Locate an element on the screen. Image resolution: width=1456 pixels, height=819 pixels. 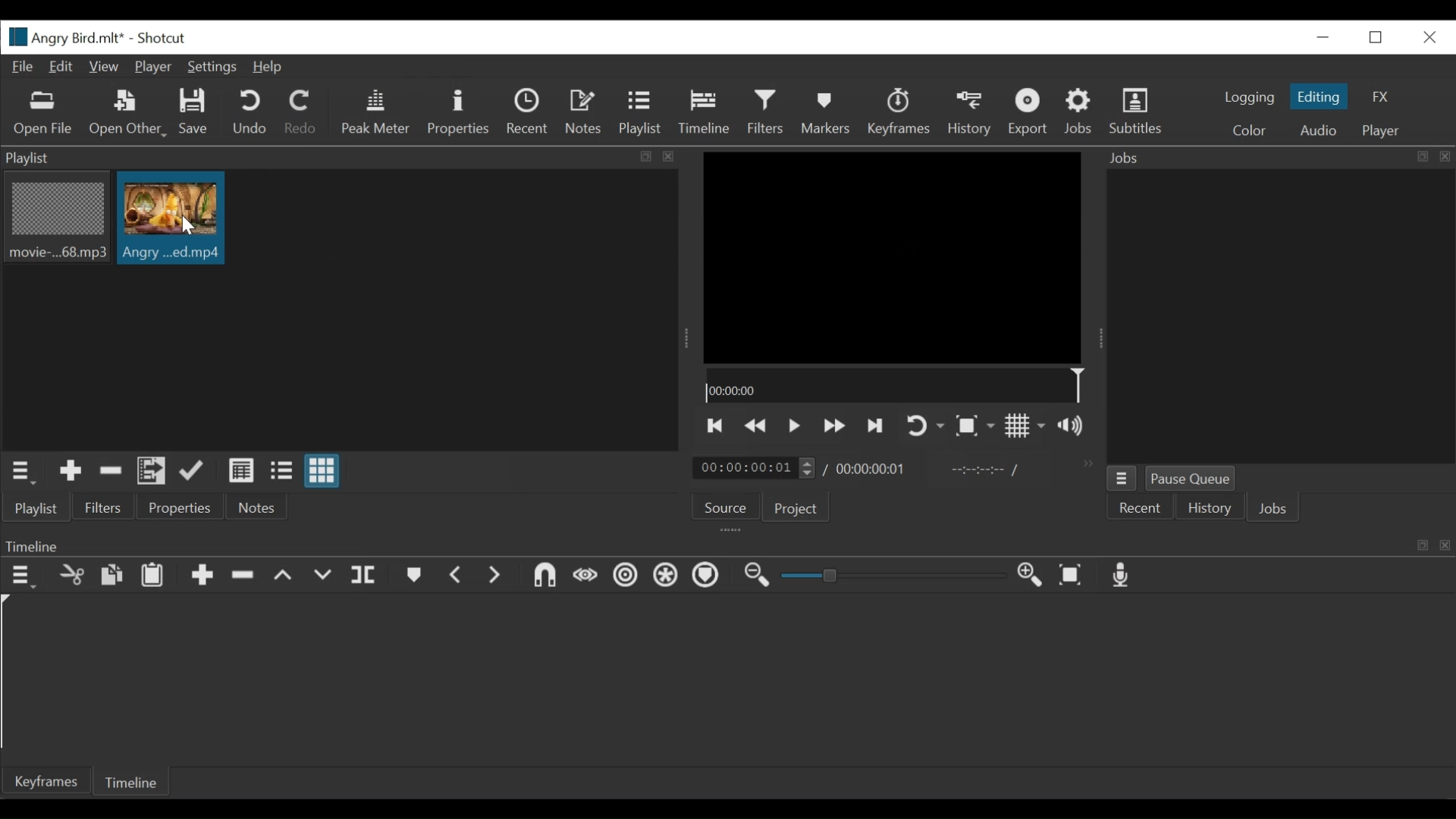
Markers is located at coordinates (415, 576).